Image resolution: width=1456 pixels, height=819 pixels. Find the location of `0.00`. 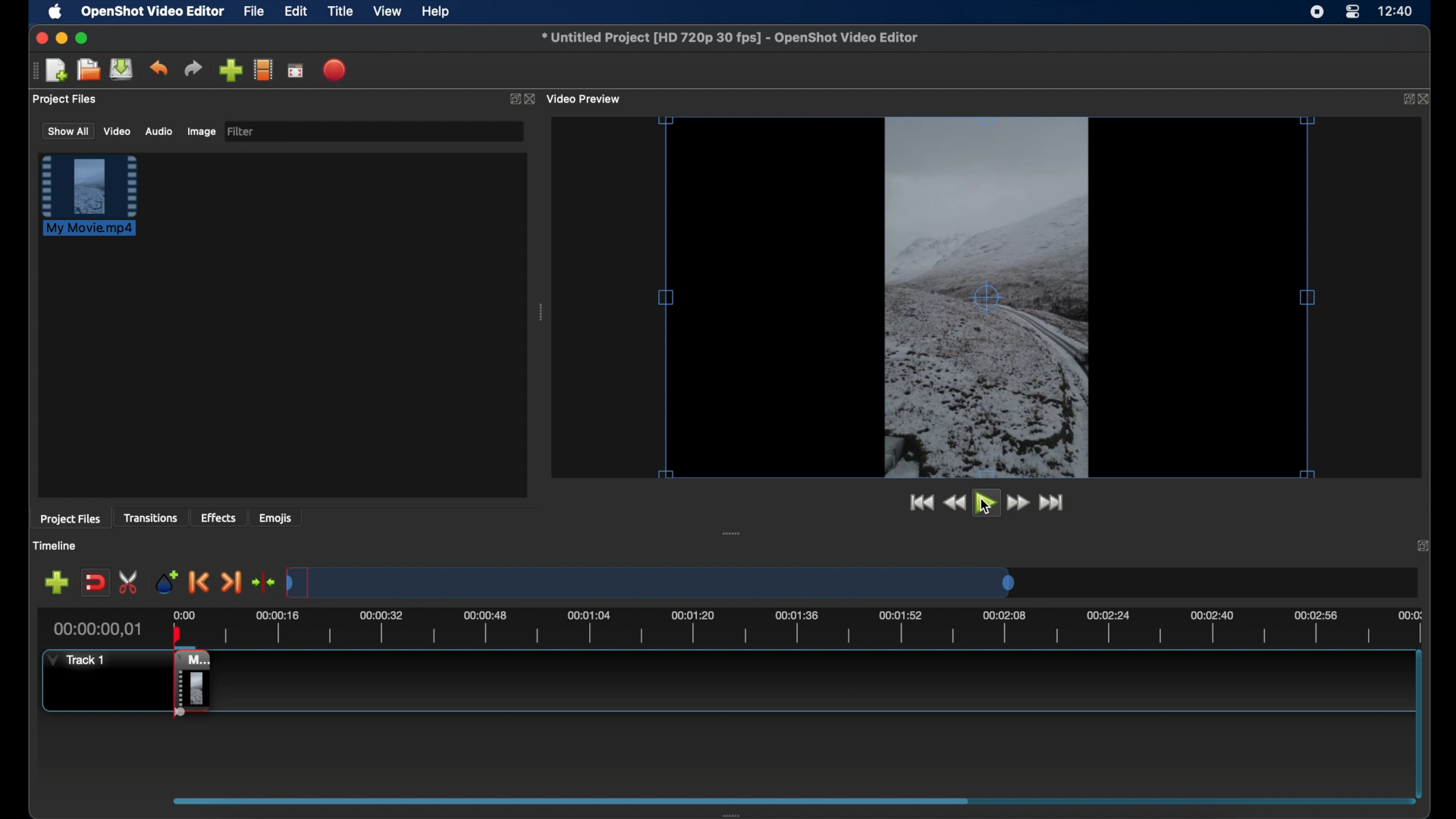

0.00 is located at coordinates (182, 613).